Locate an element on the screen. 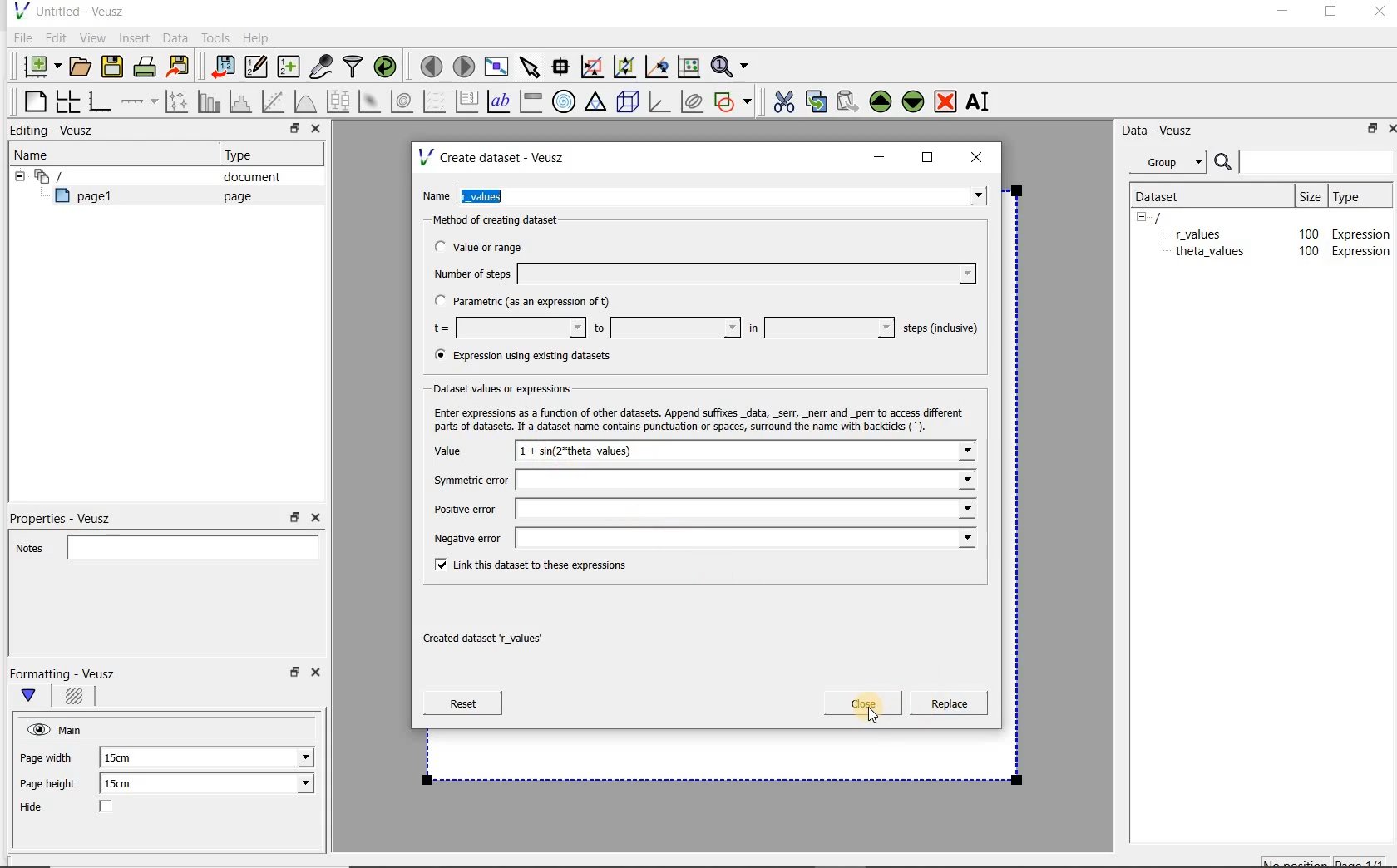  View is located at coordinates (92, 36).